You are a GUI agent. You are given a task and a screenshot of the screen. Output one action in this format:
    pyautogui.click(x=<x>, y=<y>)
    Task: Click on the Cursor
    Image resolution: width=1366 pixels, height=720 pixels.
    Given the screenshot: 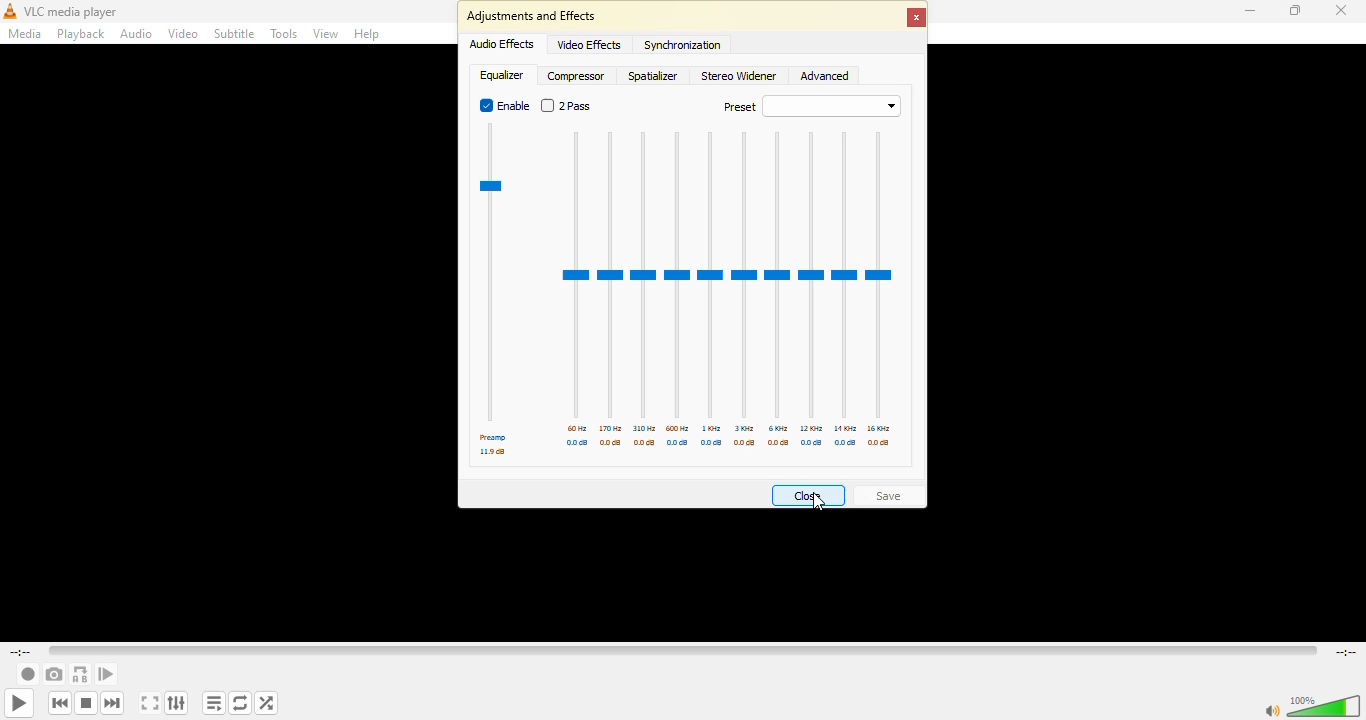 What is the action you would take?
    pyautogui.click(x=817, y=505)
    